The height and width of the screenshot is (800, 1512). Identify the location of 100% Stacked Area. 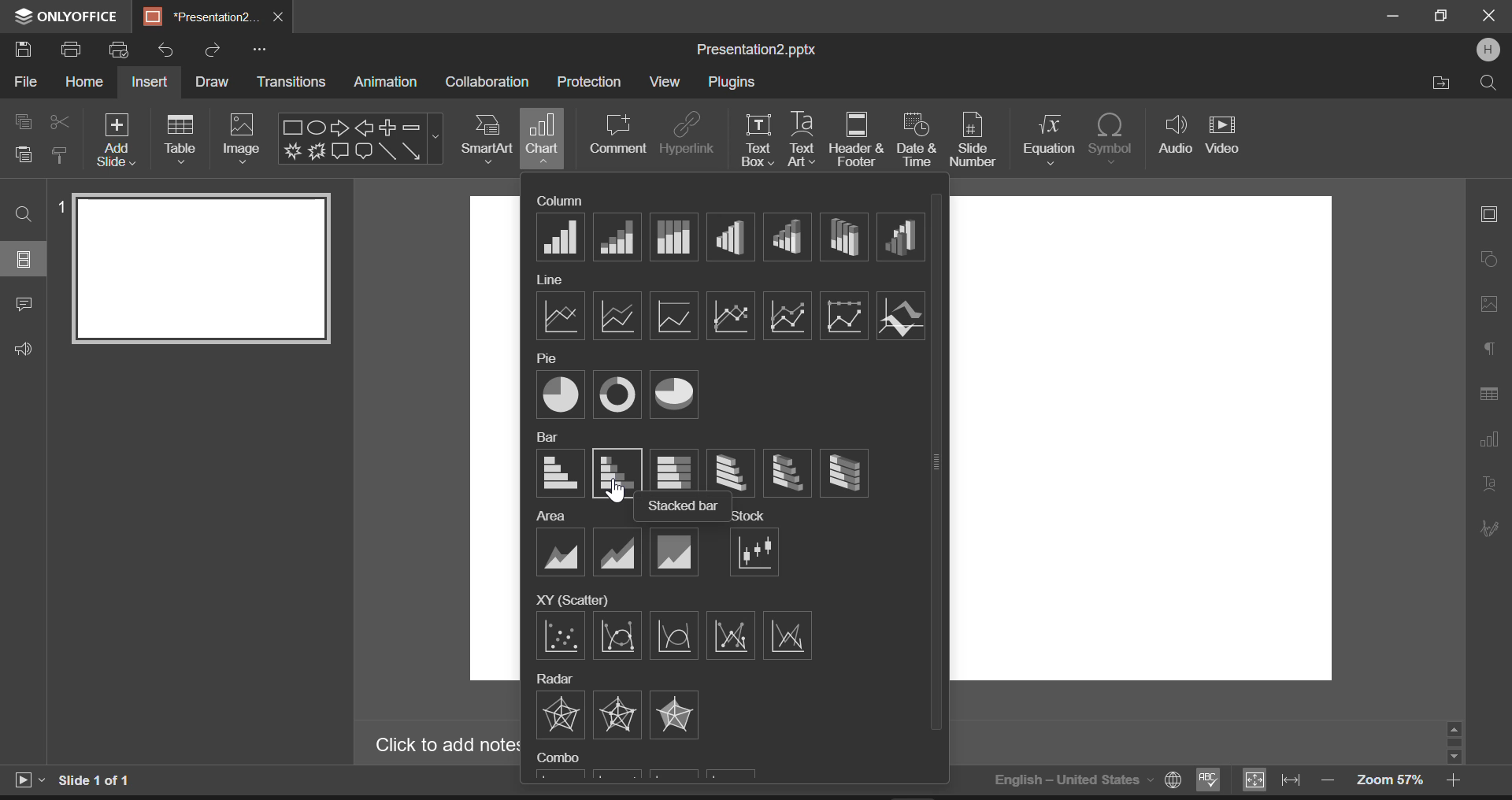
(675, 551).